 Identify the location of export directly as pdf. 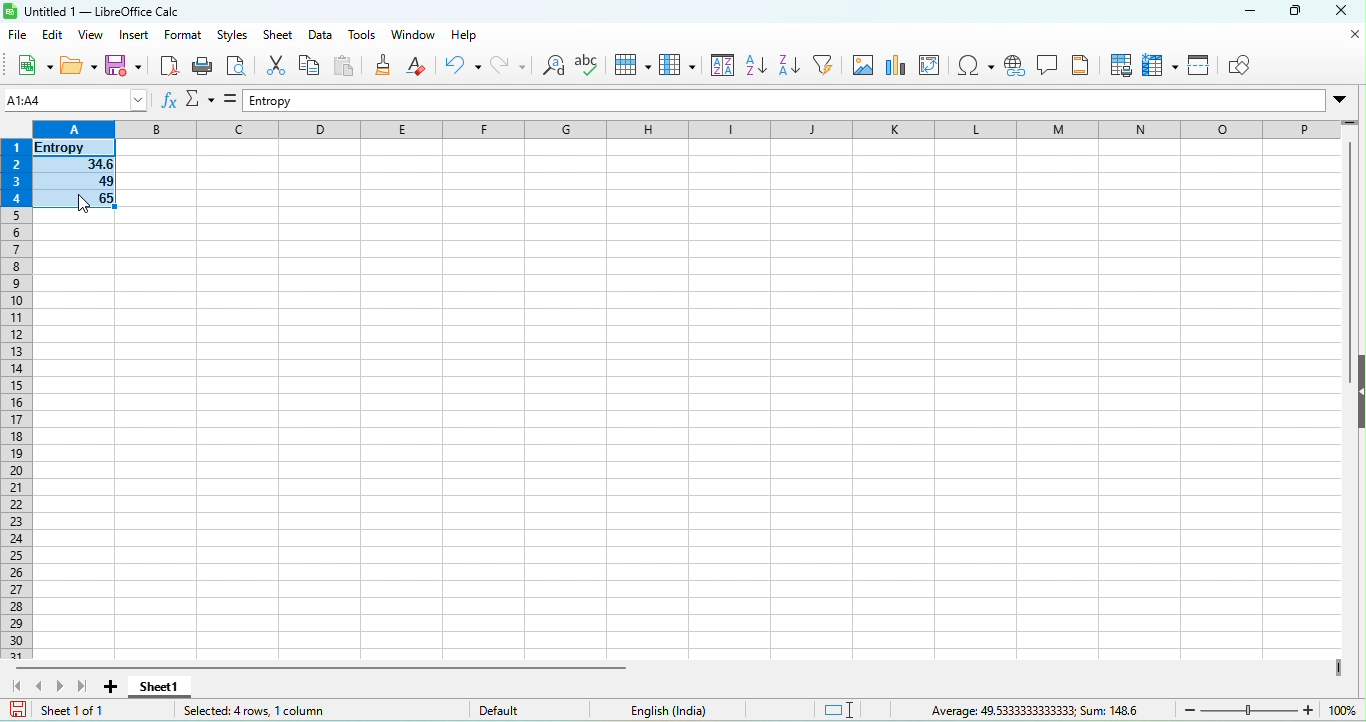
(172, 65).